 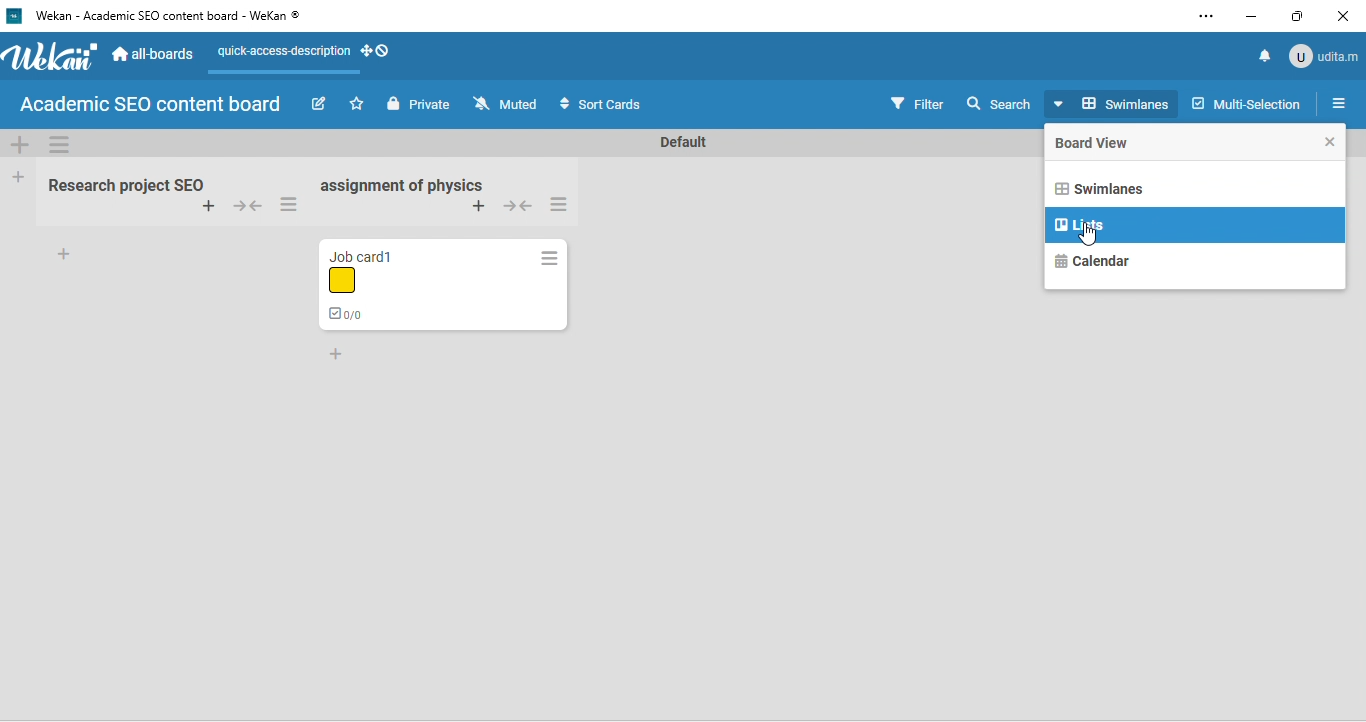 I want to click on swimlane action, so click(x=61, y=146).